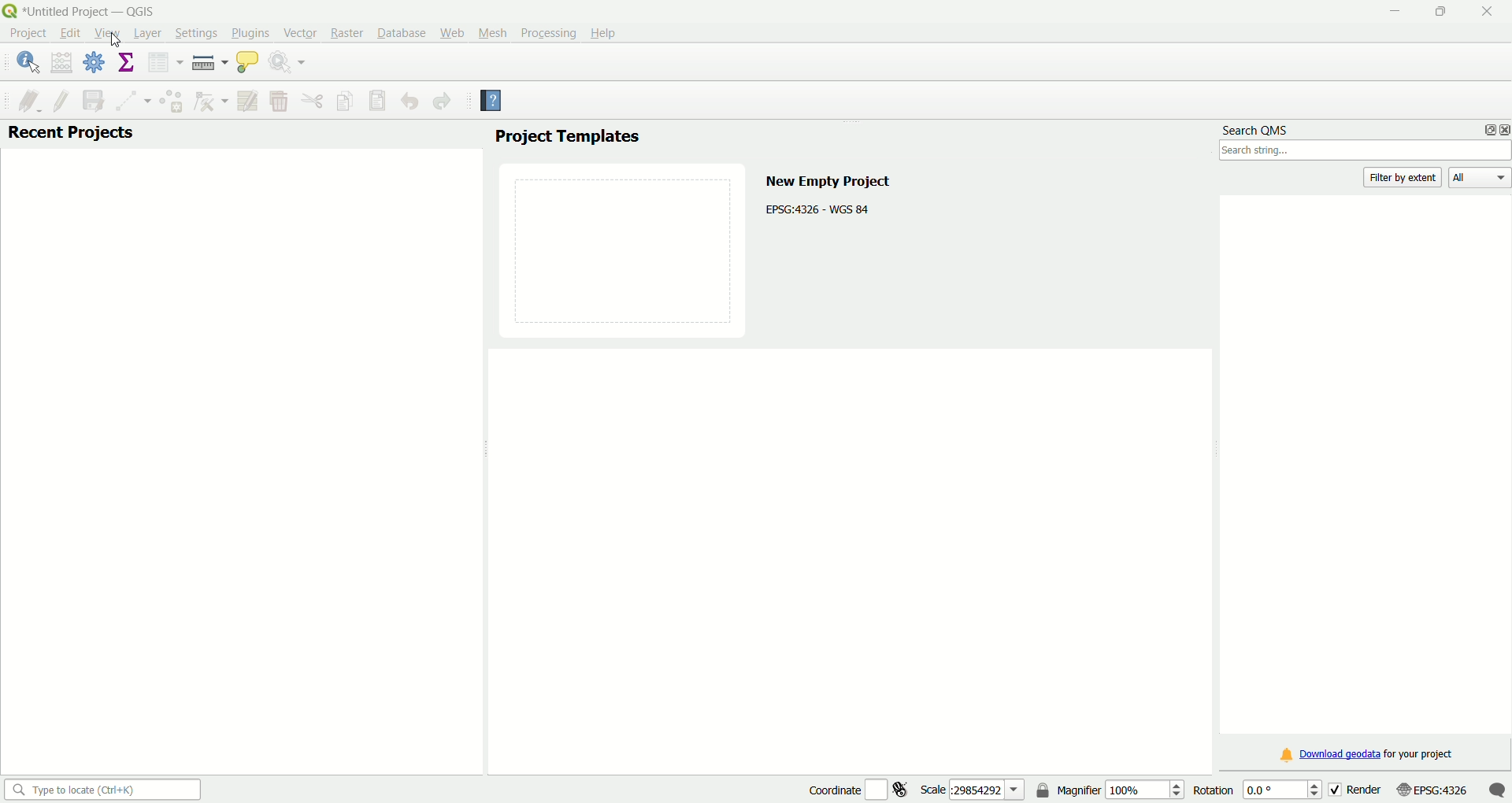 This screenshot has width=1512, height=803. I want to click on current edit, so click(23, 99).